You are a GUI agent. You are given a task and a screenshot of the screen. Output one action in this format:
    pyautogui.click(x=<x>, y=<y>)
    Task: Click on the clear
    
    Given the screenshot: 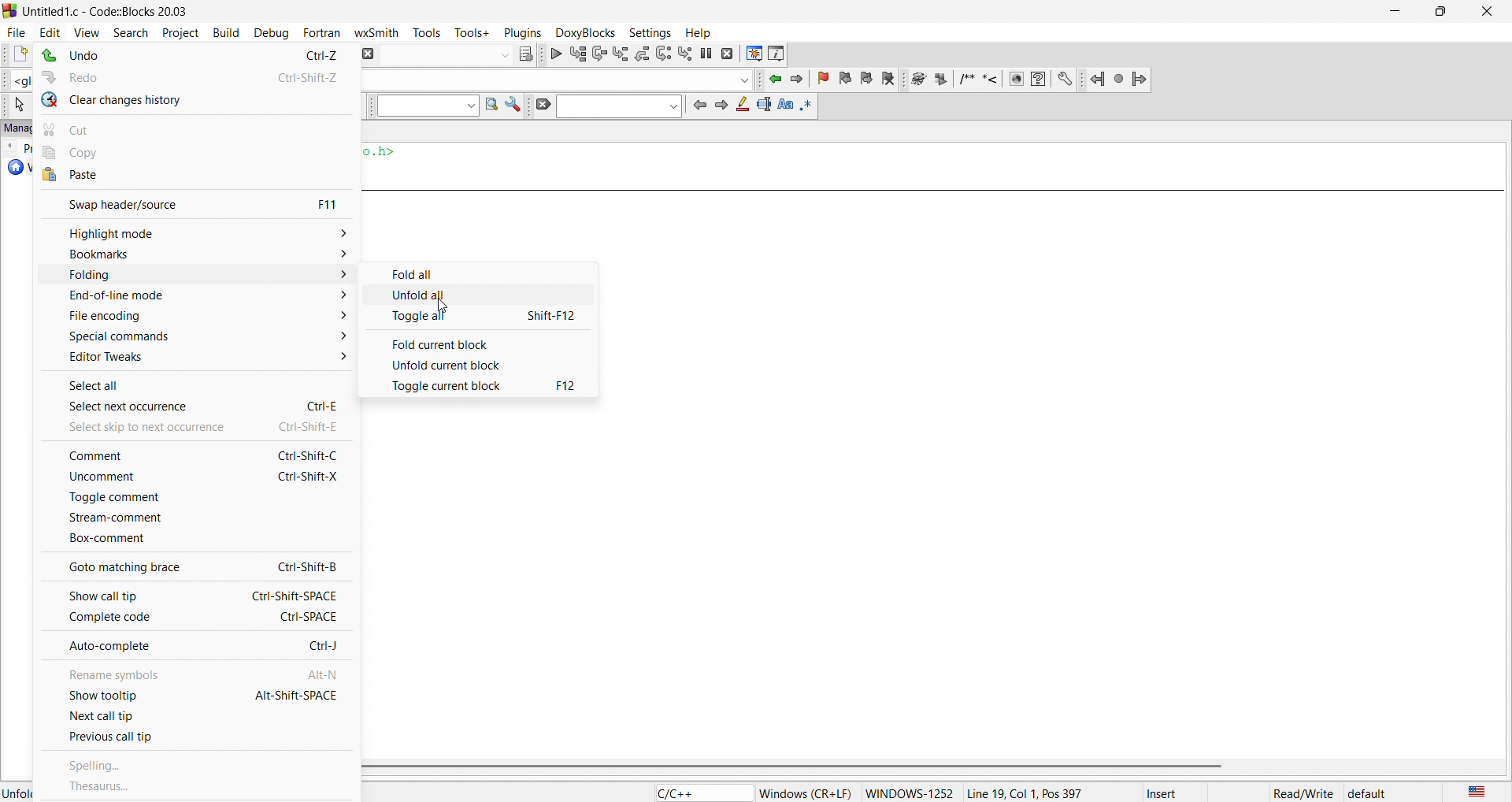 What is the action you would take?
    pyautogui.click(x=540, y=106)
    